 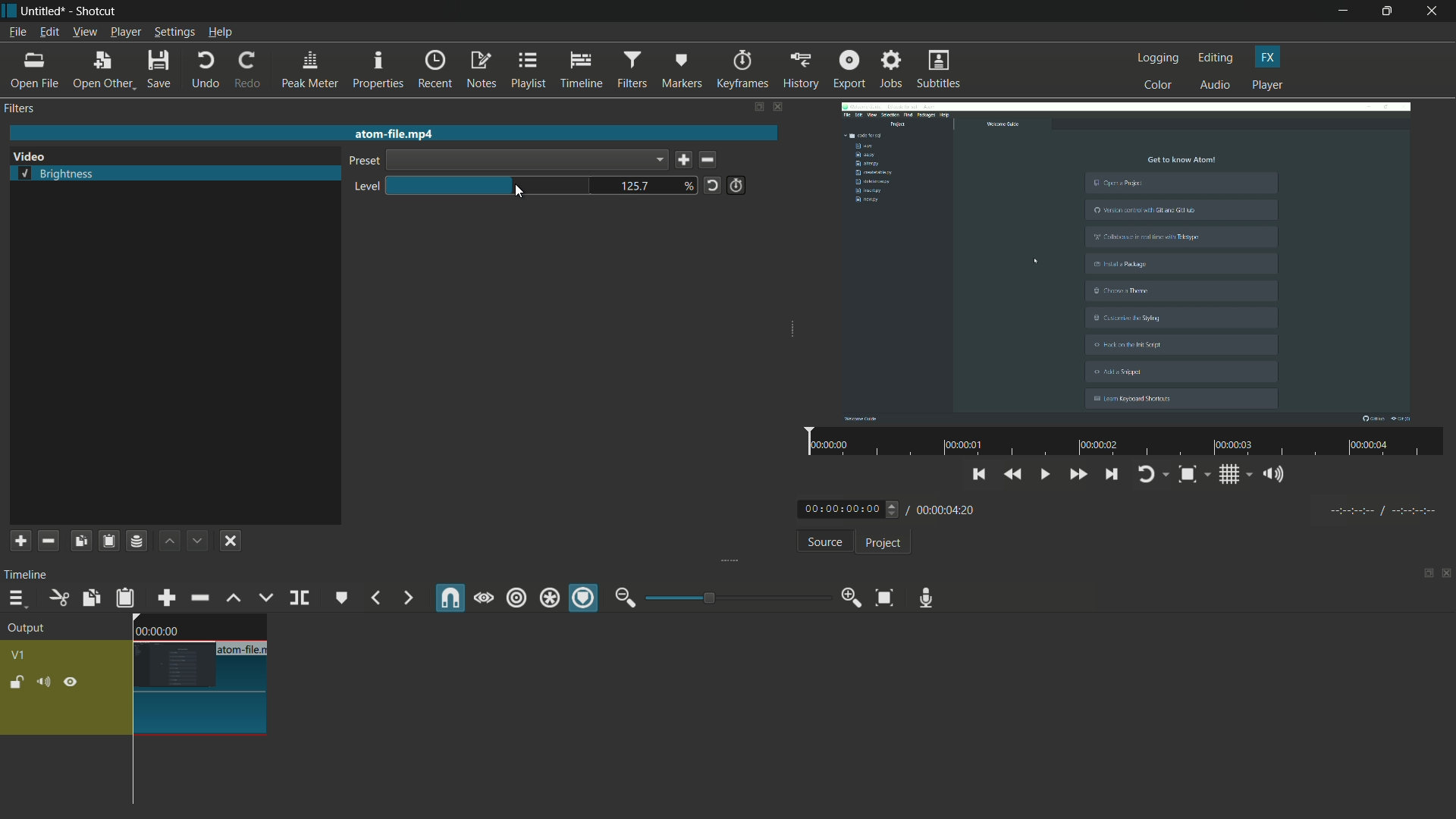 I want to click on add filter, so click(x=19, y=541).